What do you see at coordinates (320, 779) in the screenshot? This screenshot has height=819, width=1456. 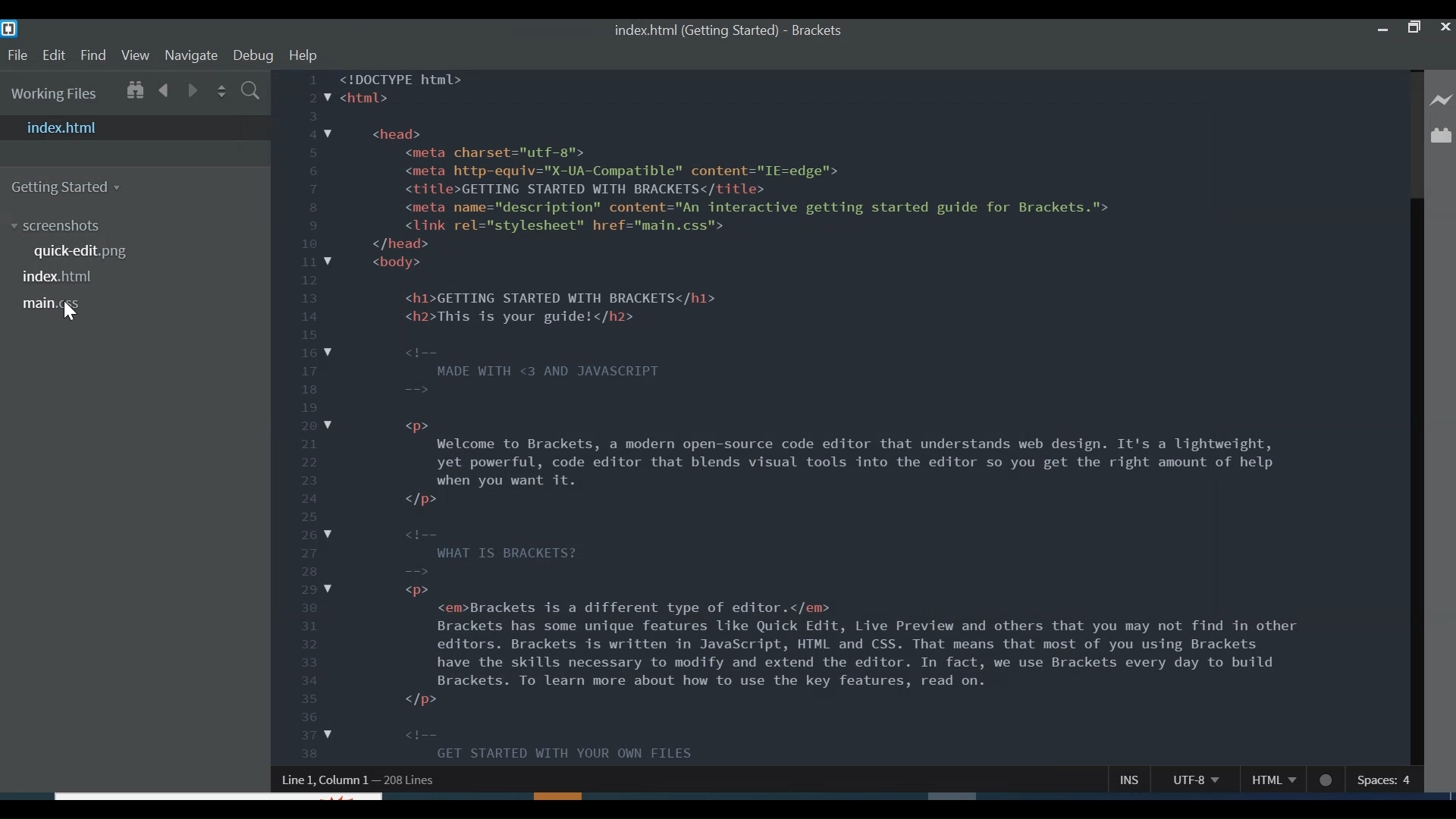 I see `Line, Column Preference` at bounding box center [320, 779].